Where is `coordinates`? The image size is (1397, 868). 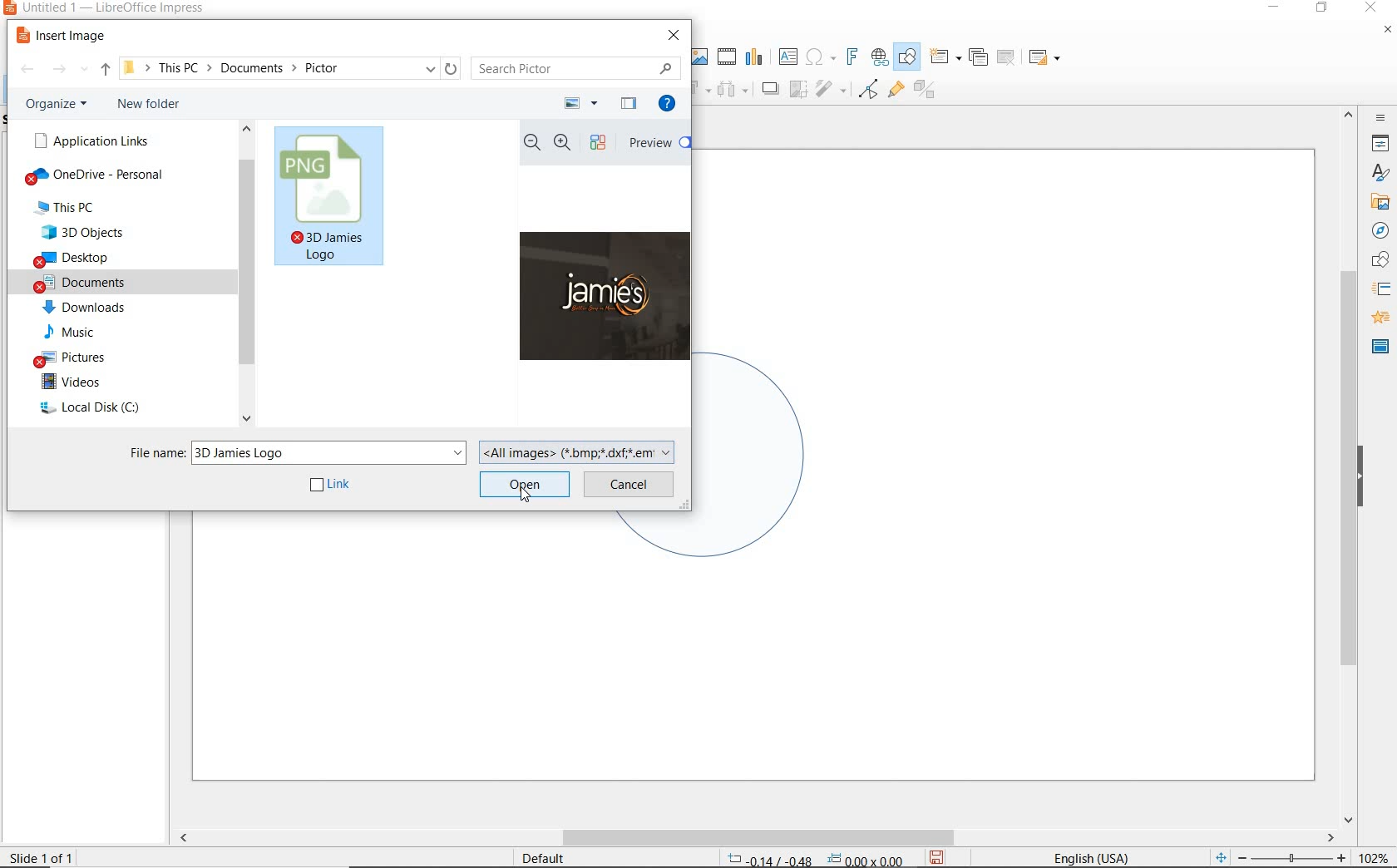
coordinates is located at coordinates (813, 860).